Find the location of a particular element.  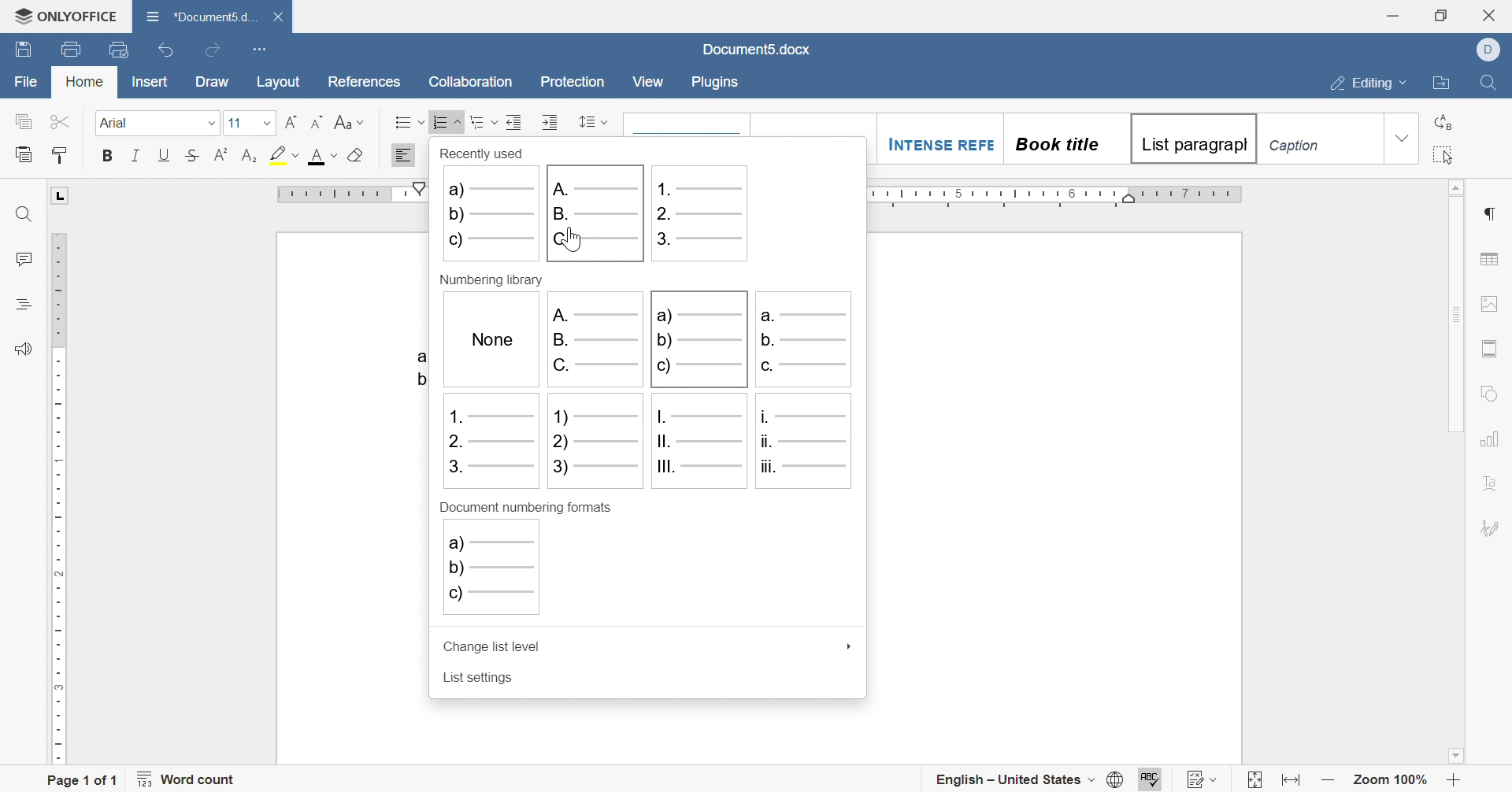

number alignment is located at coordinates (705, 386).